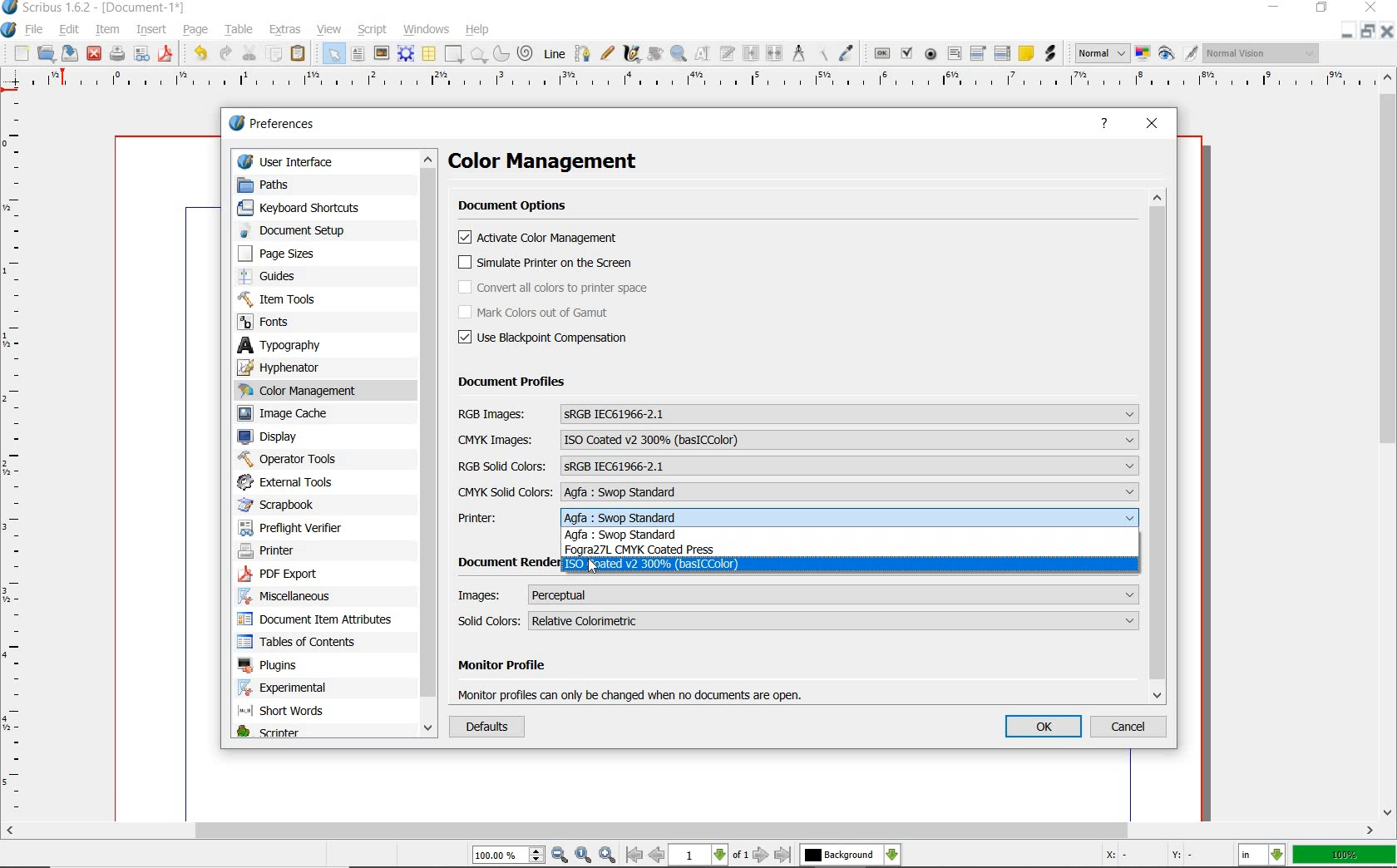 The image size is (1397, 868). Describe the element at coordinates (293, 231) in the screenshot. I see `document setup` at that location.